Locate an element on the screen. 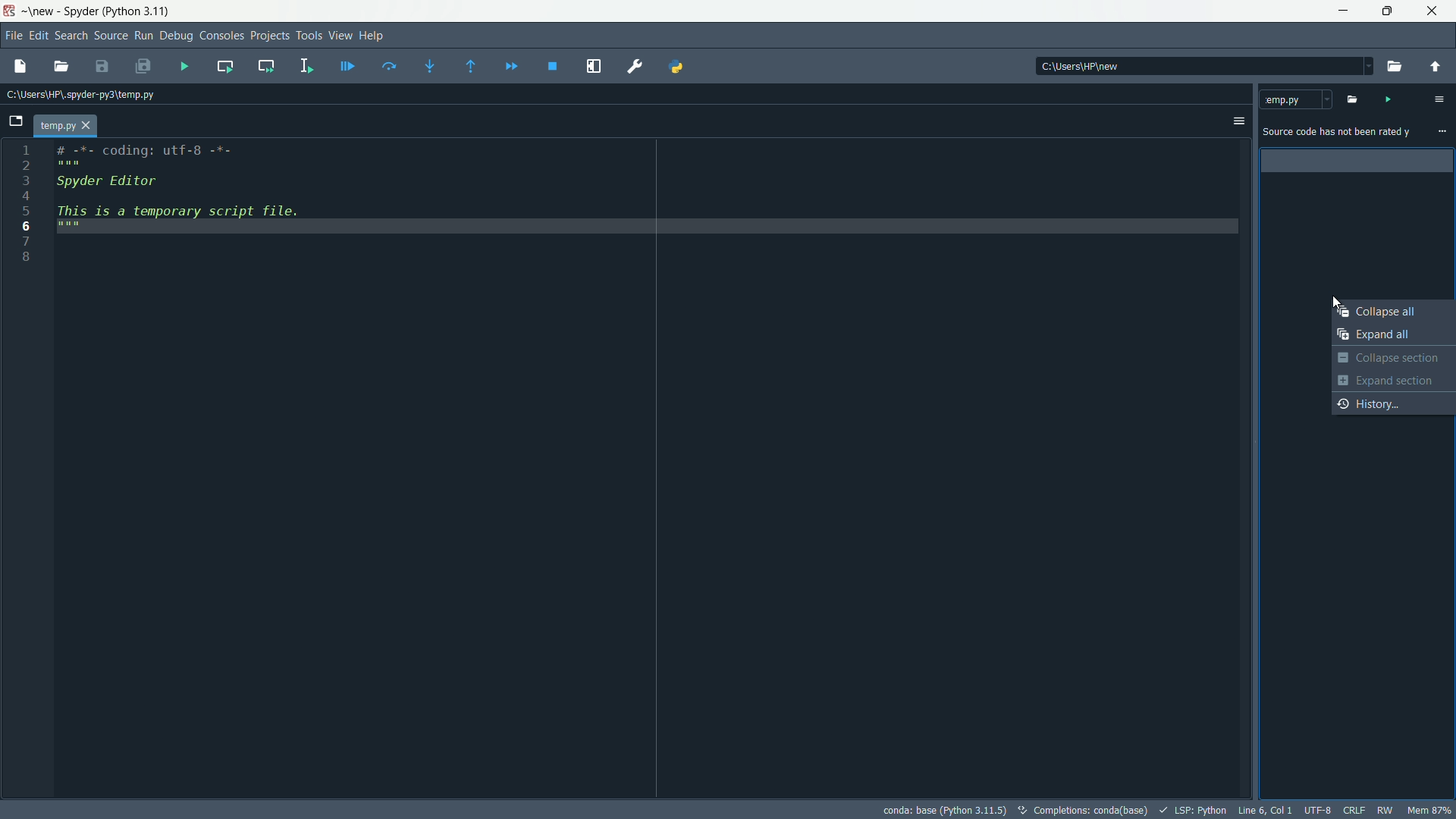 The height and width of the screenshot is (819, 1456). rw is located at coordinates (1385, 809).